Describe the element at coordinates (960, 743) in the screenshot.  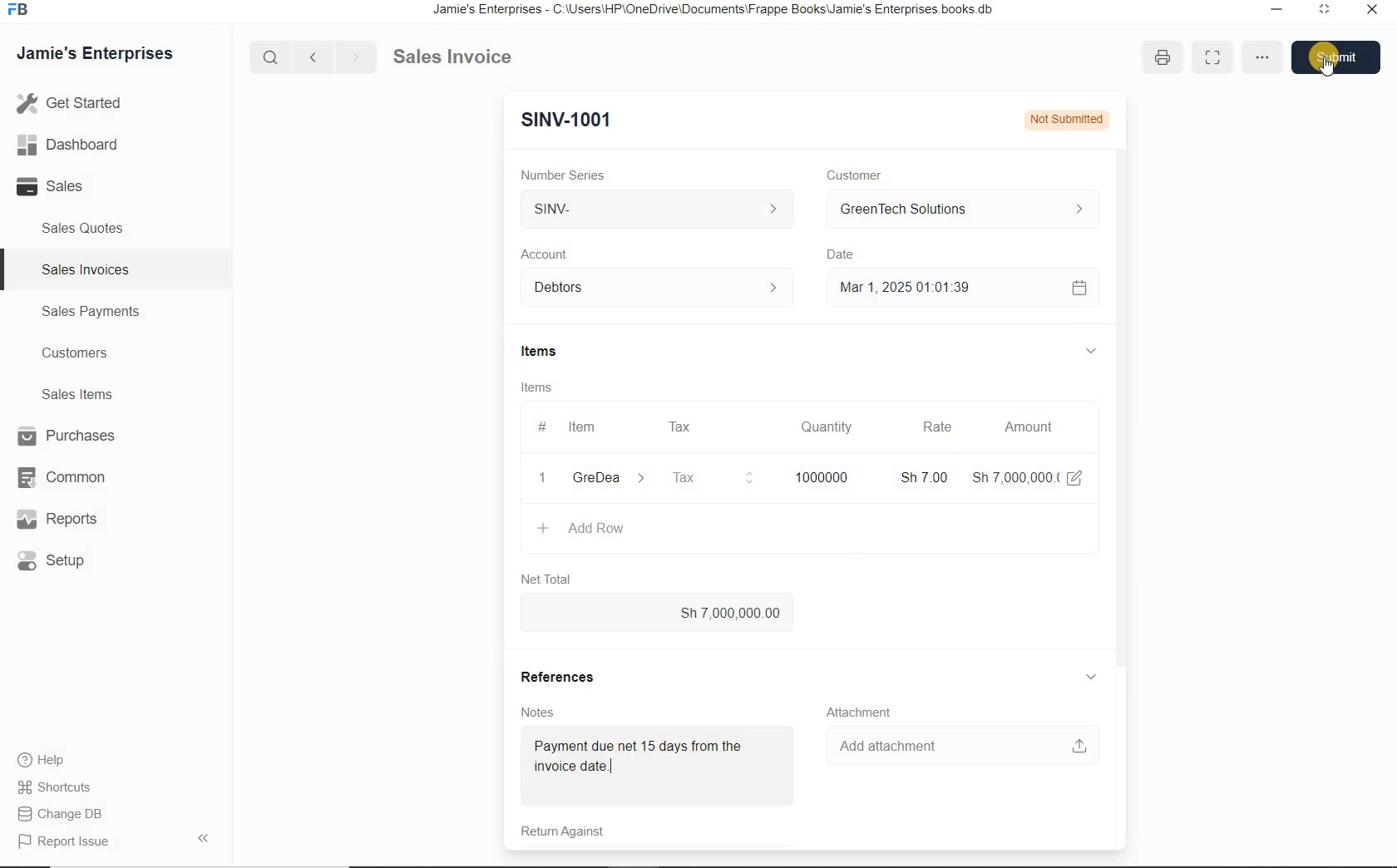
I see `‘Add attachment` at that location.